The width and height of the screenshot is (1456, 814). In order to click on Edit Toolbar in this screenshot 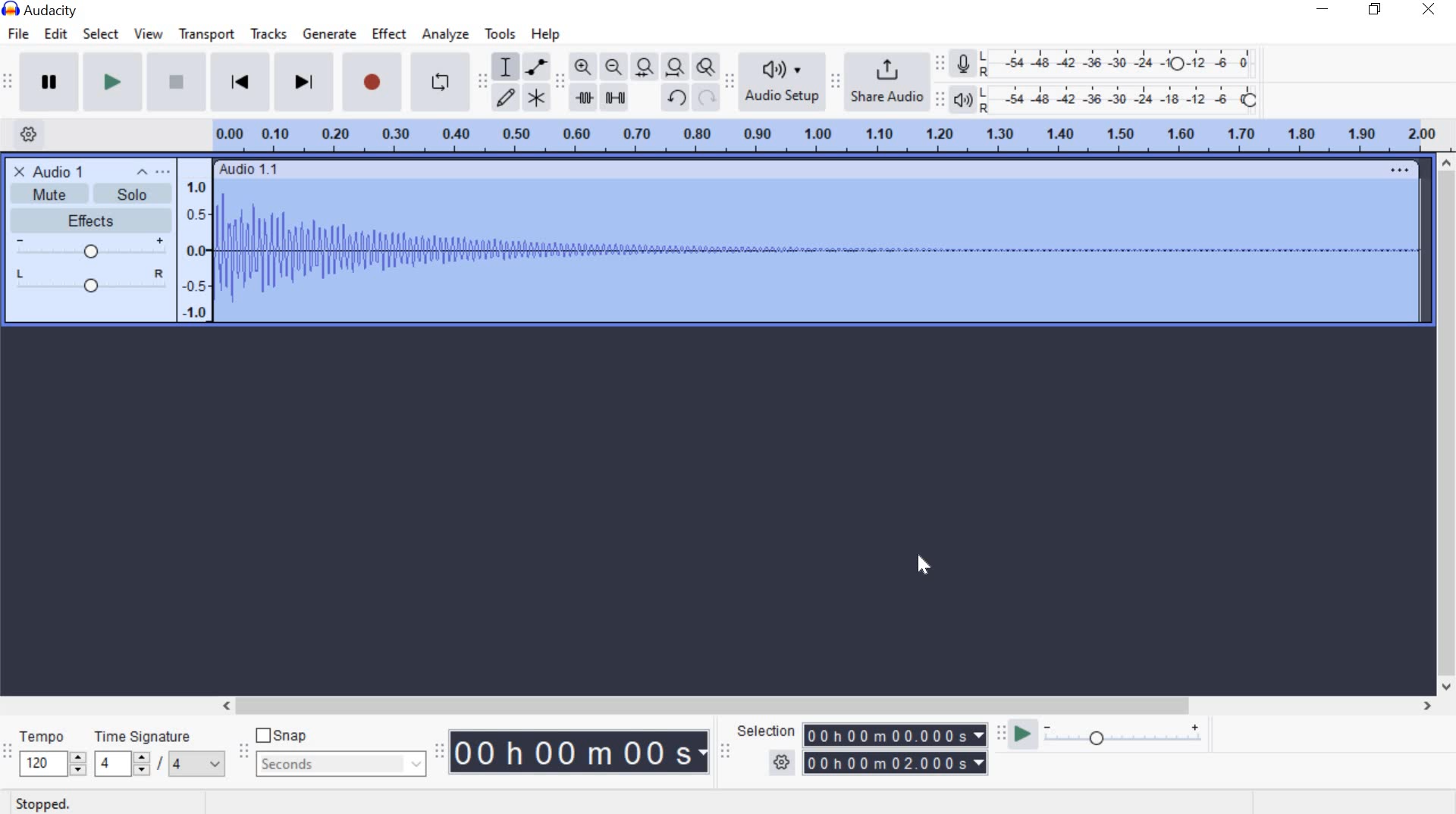, I will do `click(559, 84)`.